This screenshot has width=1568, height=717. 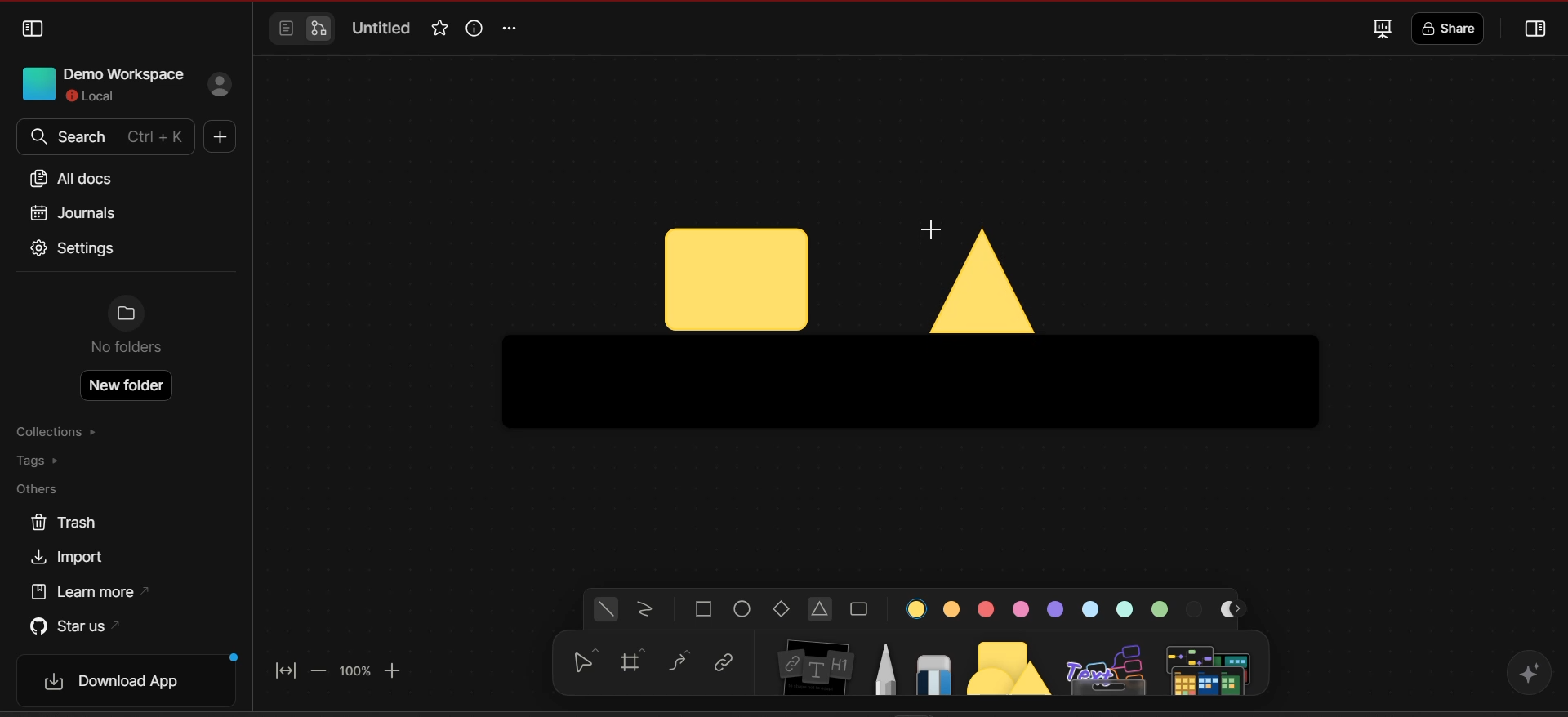 What do you see at coordinates (78, 179) in the screenshot?
I see `all docs` at bounding box center [78, 179].